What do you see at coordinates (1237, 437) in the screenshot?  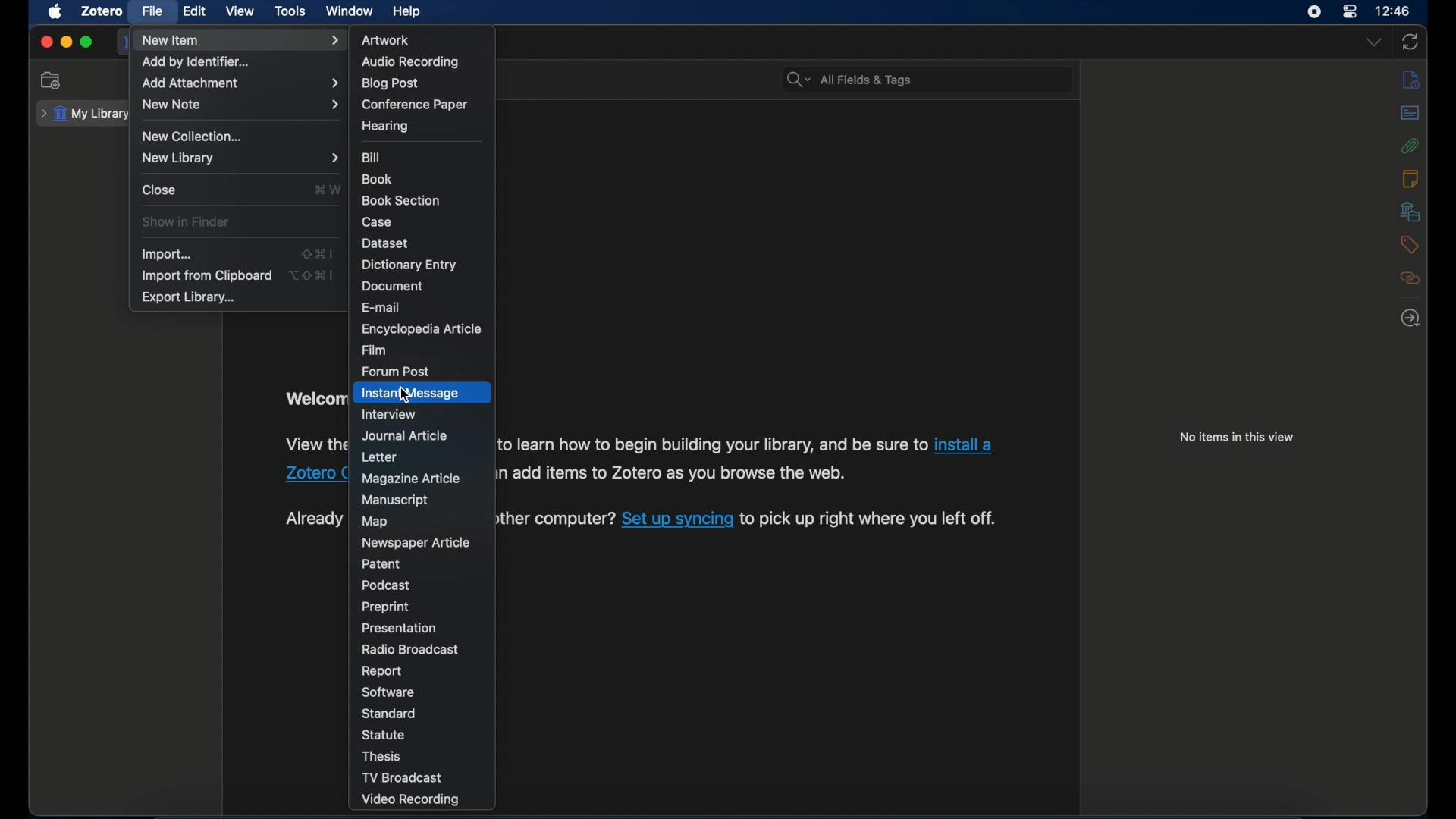 I see `no items in this  view` at bounding box center [1237, 437].